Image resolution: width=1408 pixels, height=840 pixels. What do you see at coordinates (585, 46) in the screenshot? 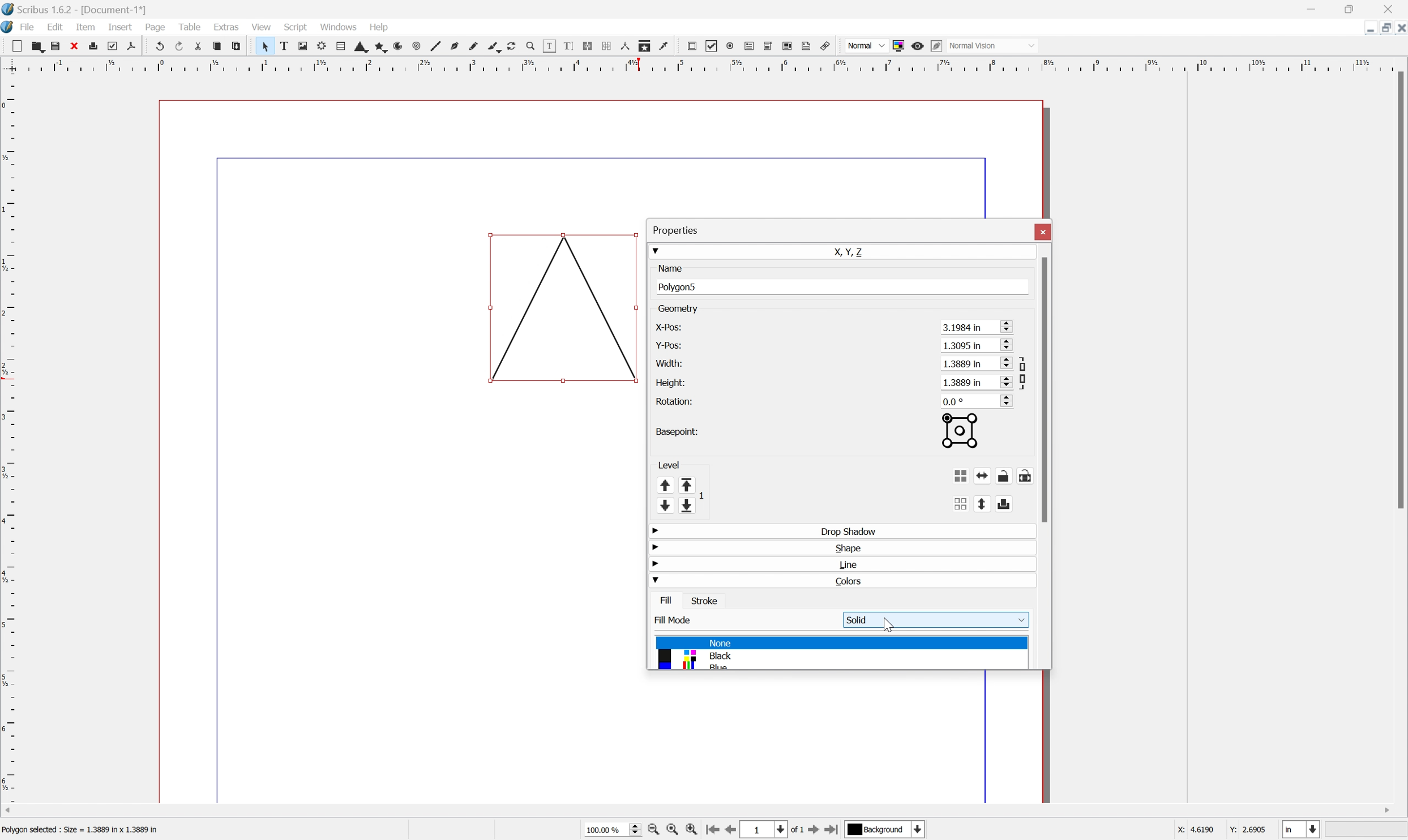
I see `Link Text frames` at bounding box center [585, 46].